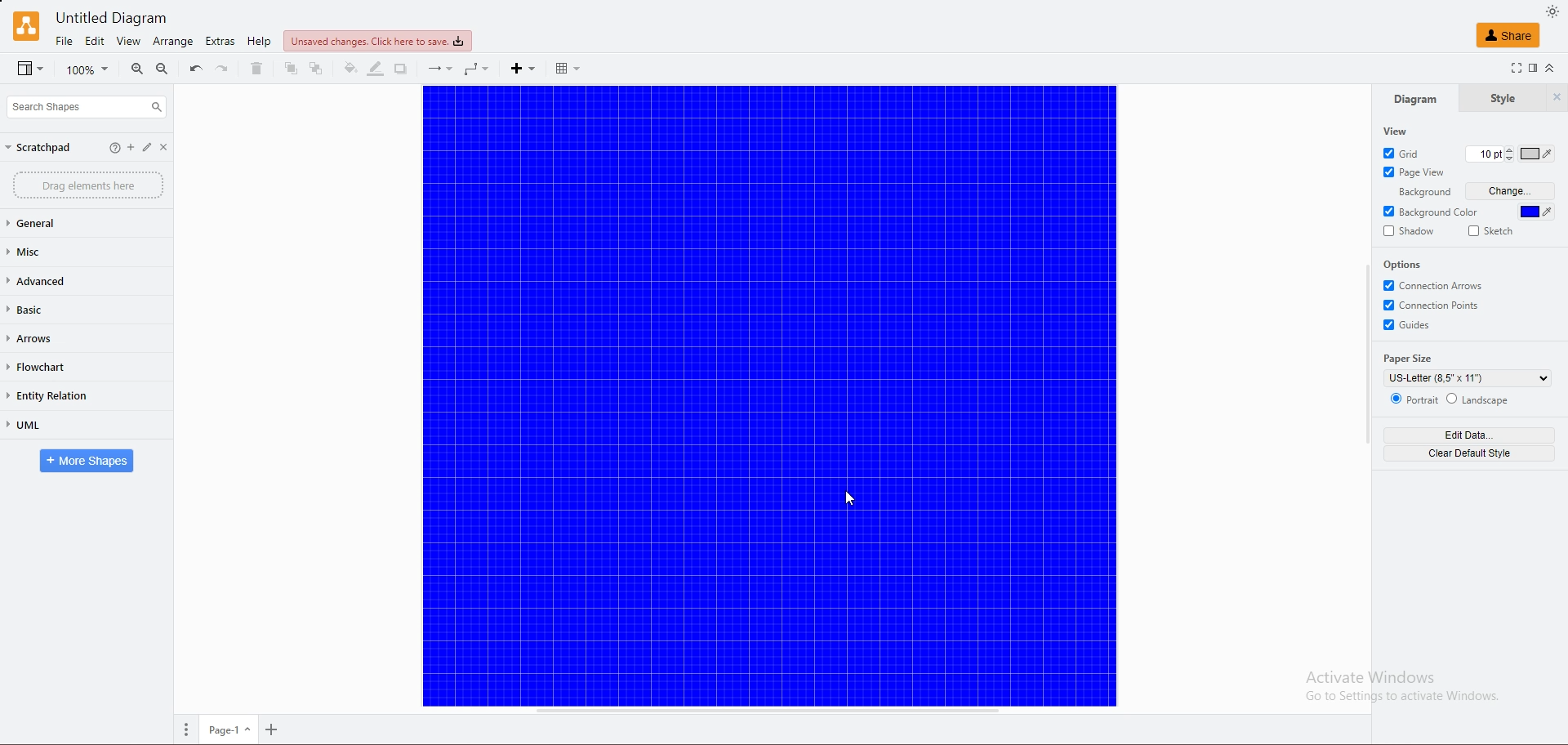 This screenshot has width=1568, height=745. I want to click on page view, so click(1414, 172).